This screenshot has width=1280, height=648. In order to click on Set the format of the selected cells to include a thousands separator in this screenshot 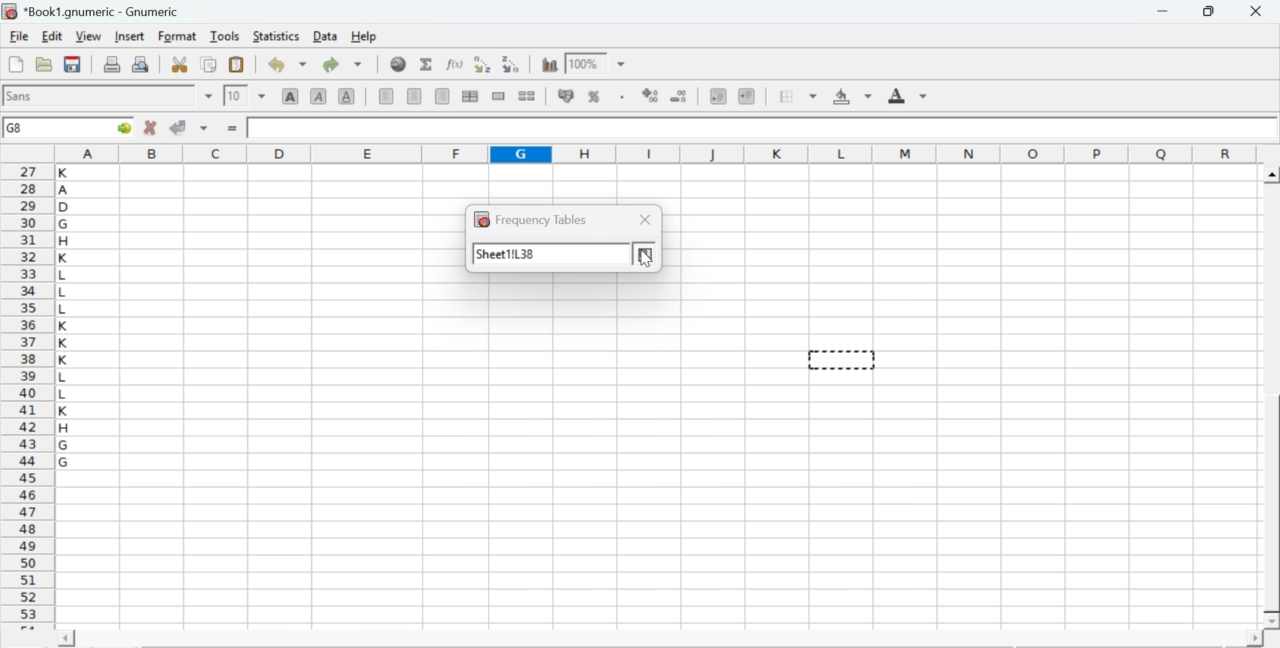, I will do `click(620, 97)`.